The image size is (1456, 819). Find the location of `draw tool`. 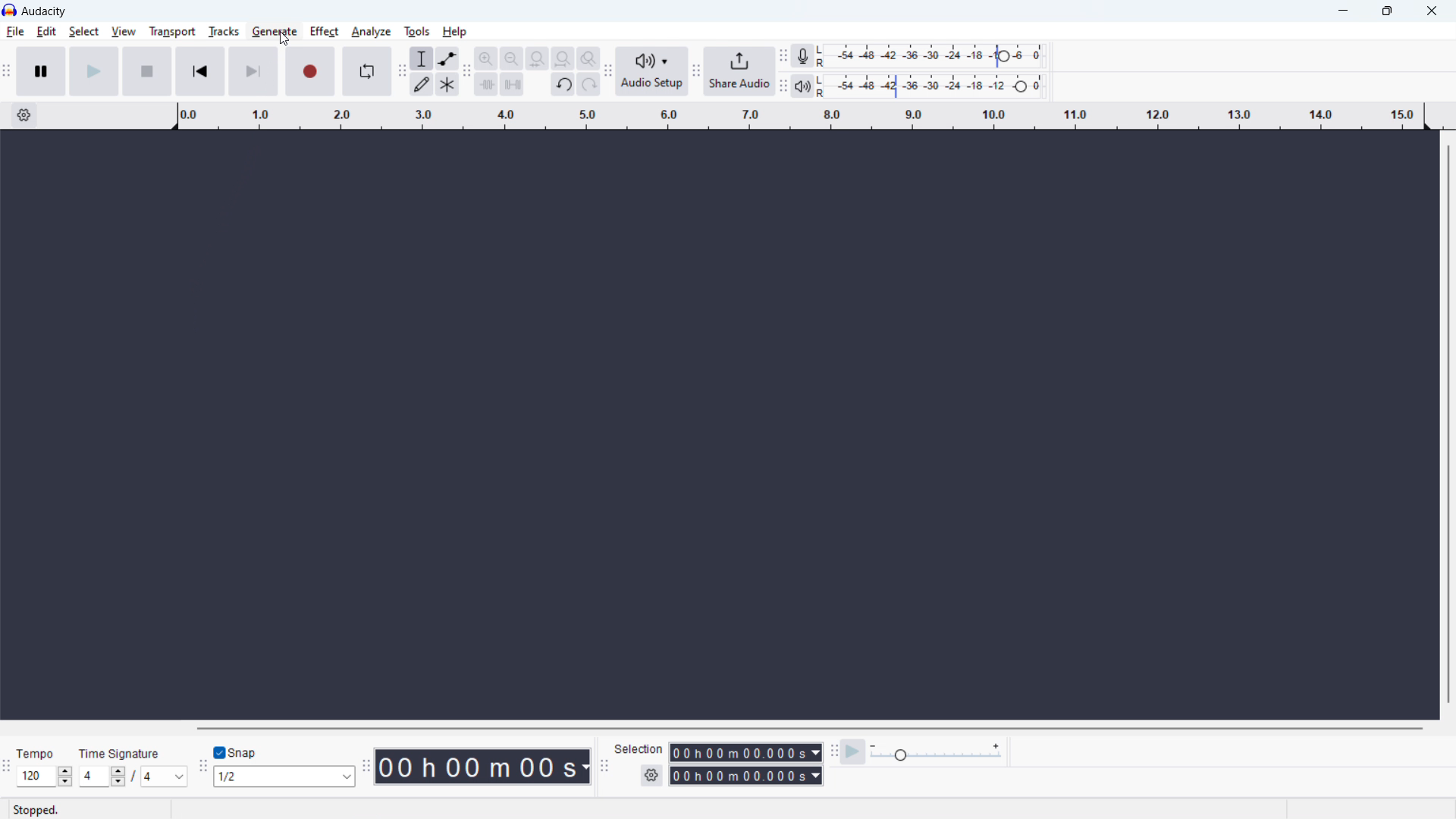

draw tool is located at coordinates (422, 83).